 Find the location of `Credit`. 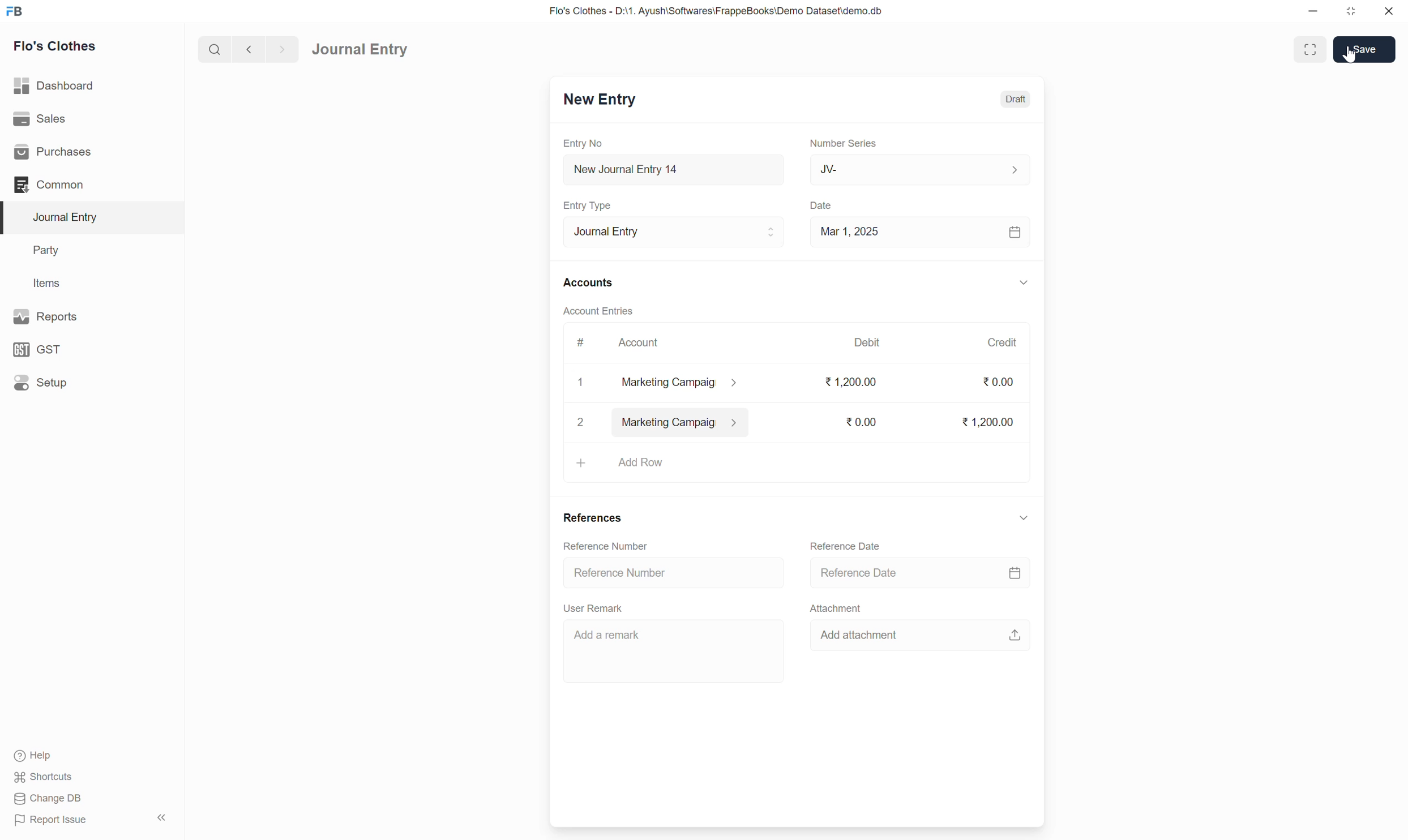

Credit is located at coordinates (1002, 342).